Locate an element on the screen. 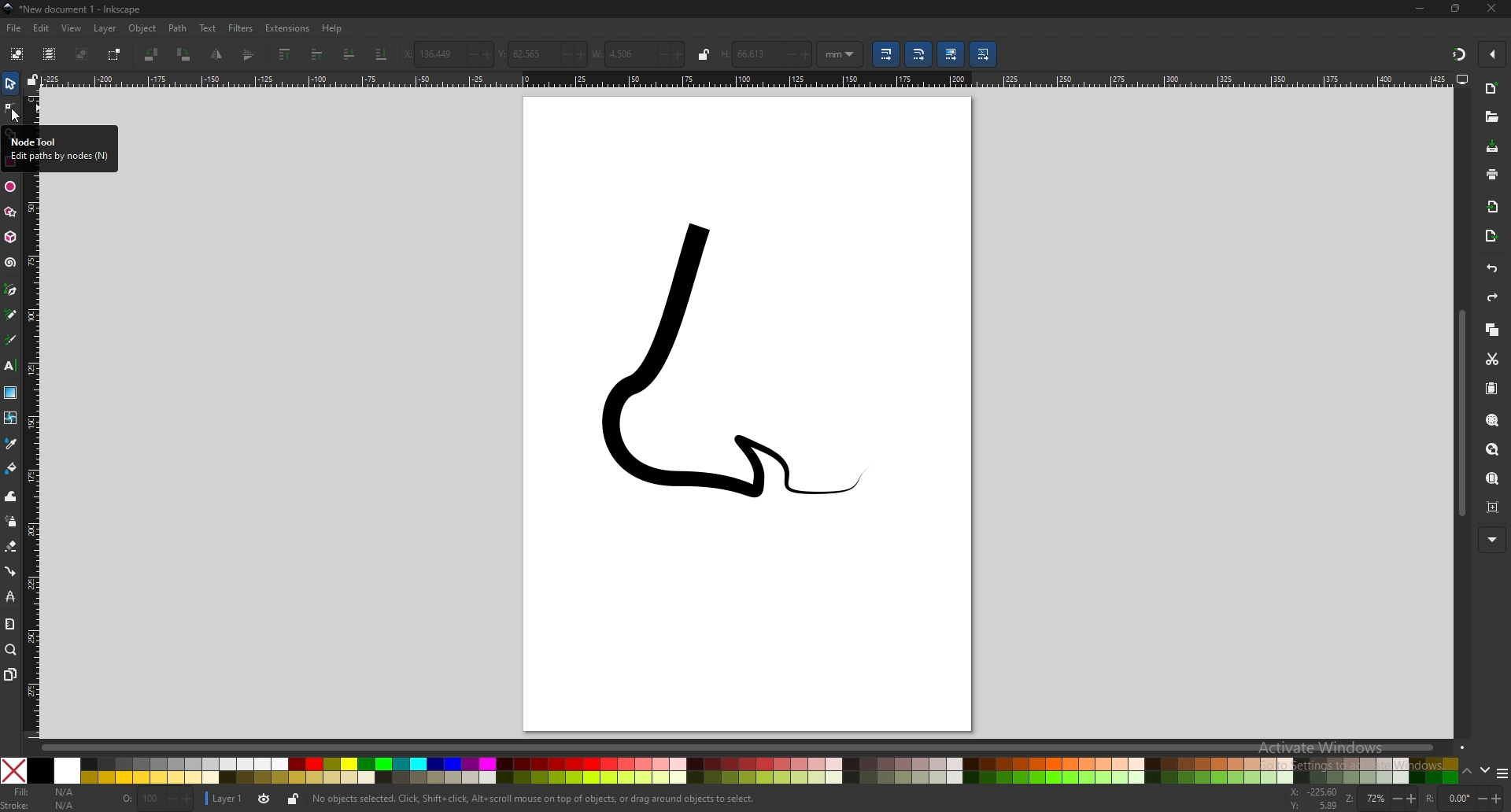 This screenshot has width=1511, height=812. star and polygon is located at coordinates (11, 212).